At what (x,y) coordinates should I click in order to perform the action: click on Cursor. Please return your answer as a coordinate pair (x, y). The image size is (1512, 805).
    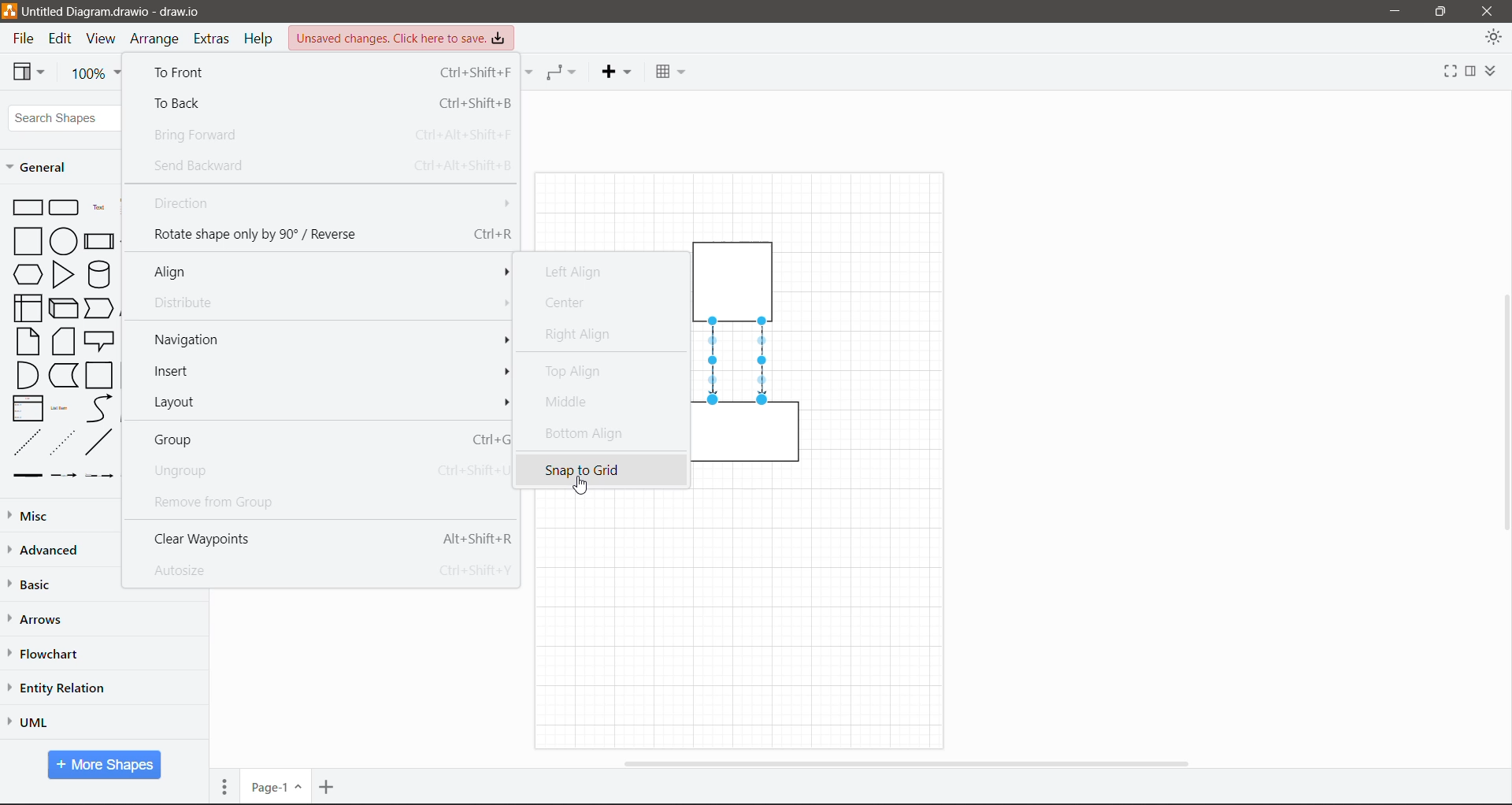
    Looking at the image, I should click on (581, 486).